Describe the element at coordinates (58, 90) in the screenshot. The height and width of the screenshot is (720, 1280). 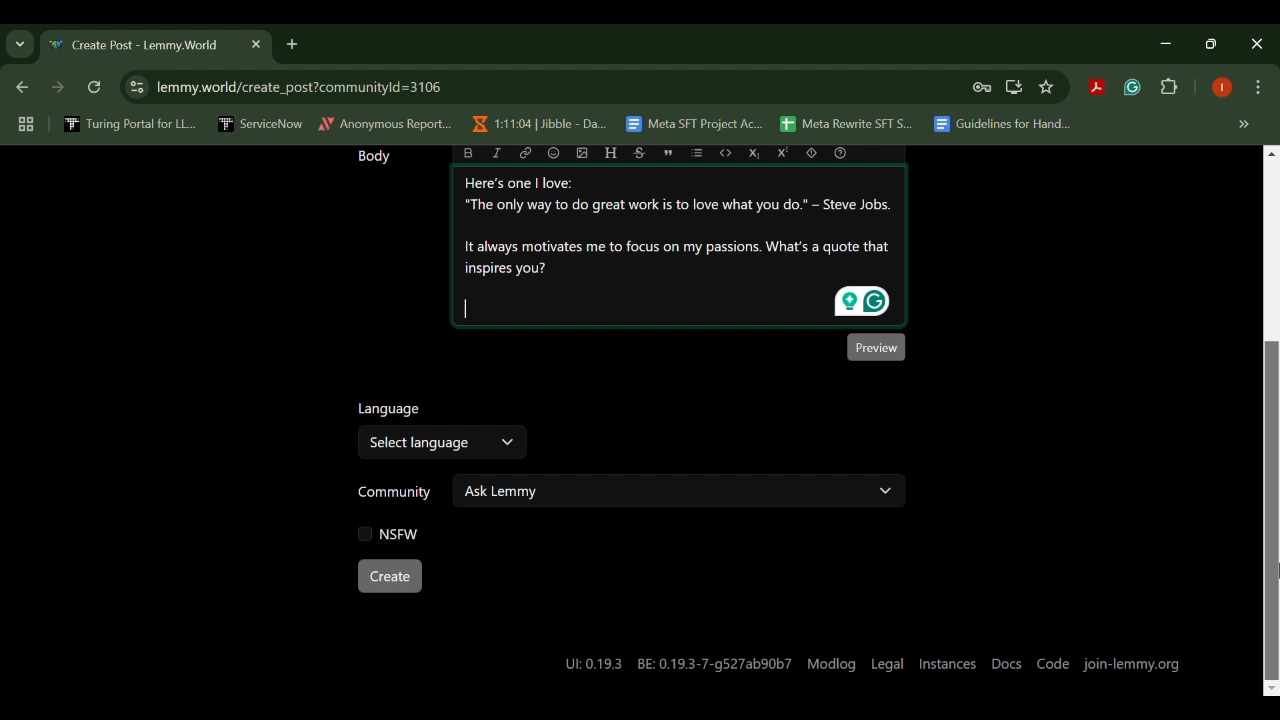
I see `Next Webpage` at that location.